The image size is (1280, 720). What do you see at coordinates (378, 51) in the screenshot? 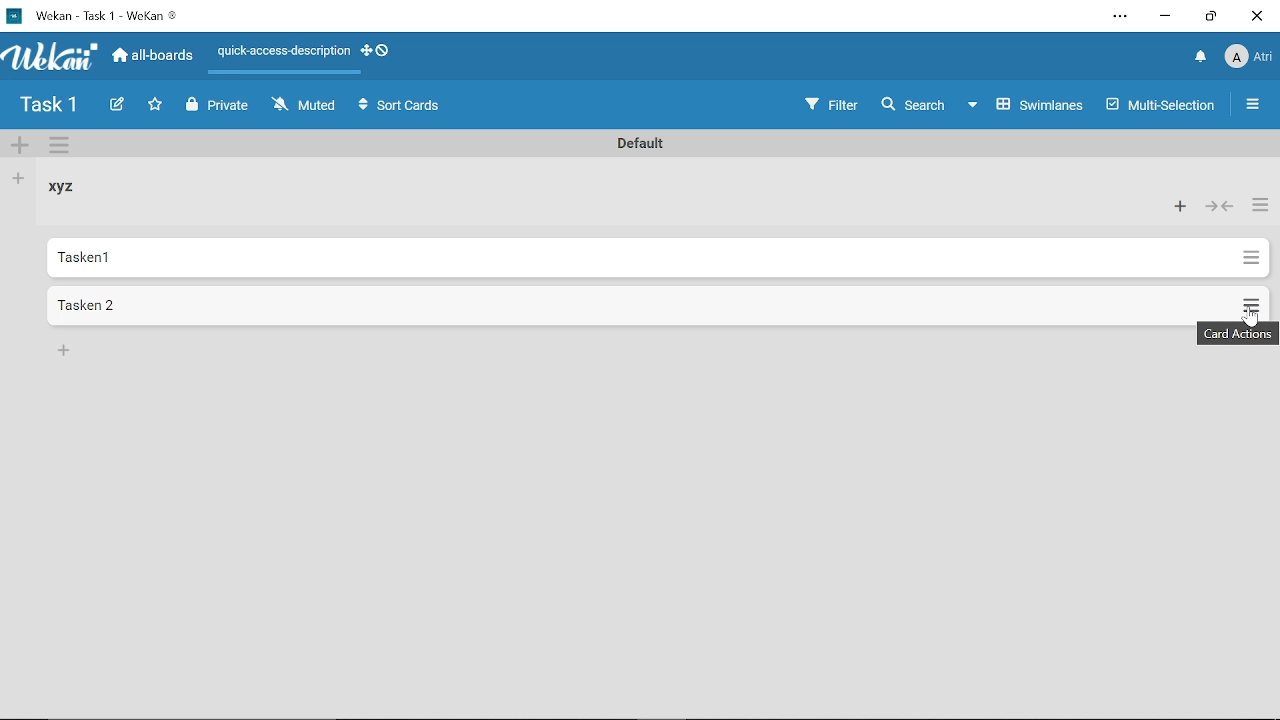
I see `Show desktop drag handles` at bounding box center [378, 51].